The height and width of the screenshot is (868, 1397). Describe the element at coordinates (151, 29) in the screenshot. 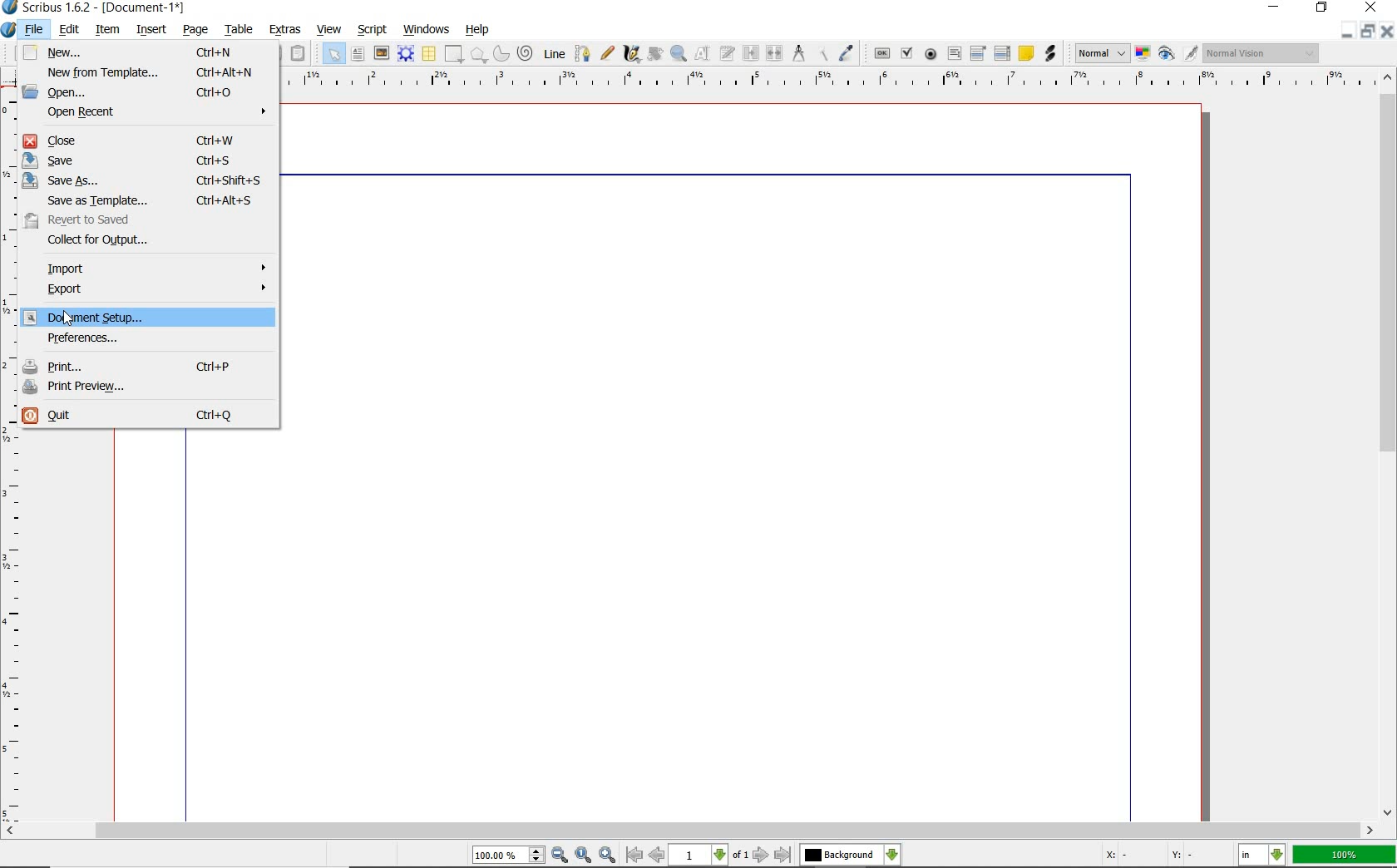

I see `insert` at that location.